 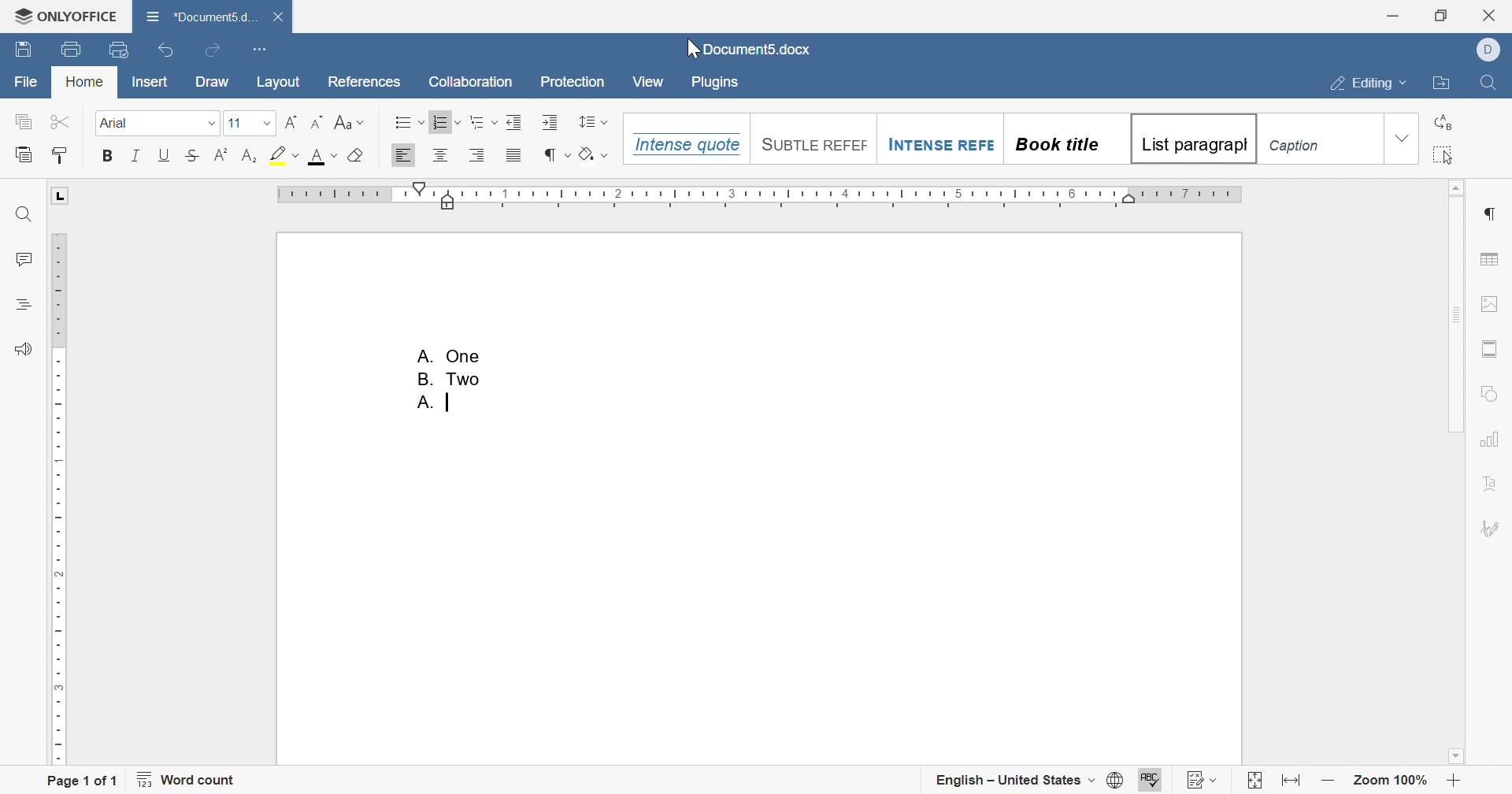 I want to click on minimize, so click(x=1392, y=14).